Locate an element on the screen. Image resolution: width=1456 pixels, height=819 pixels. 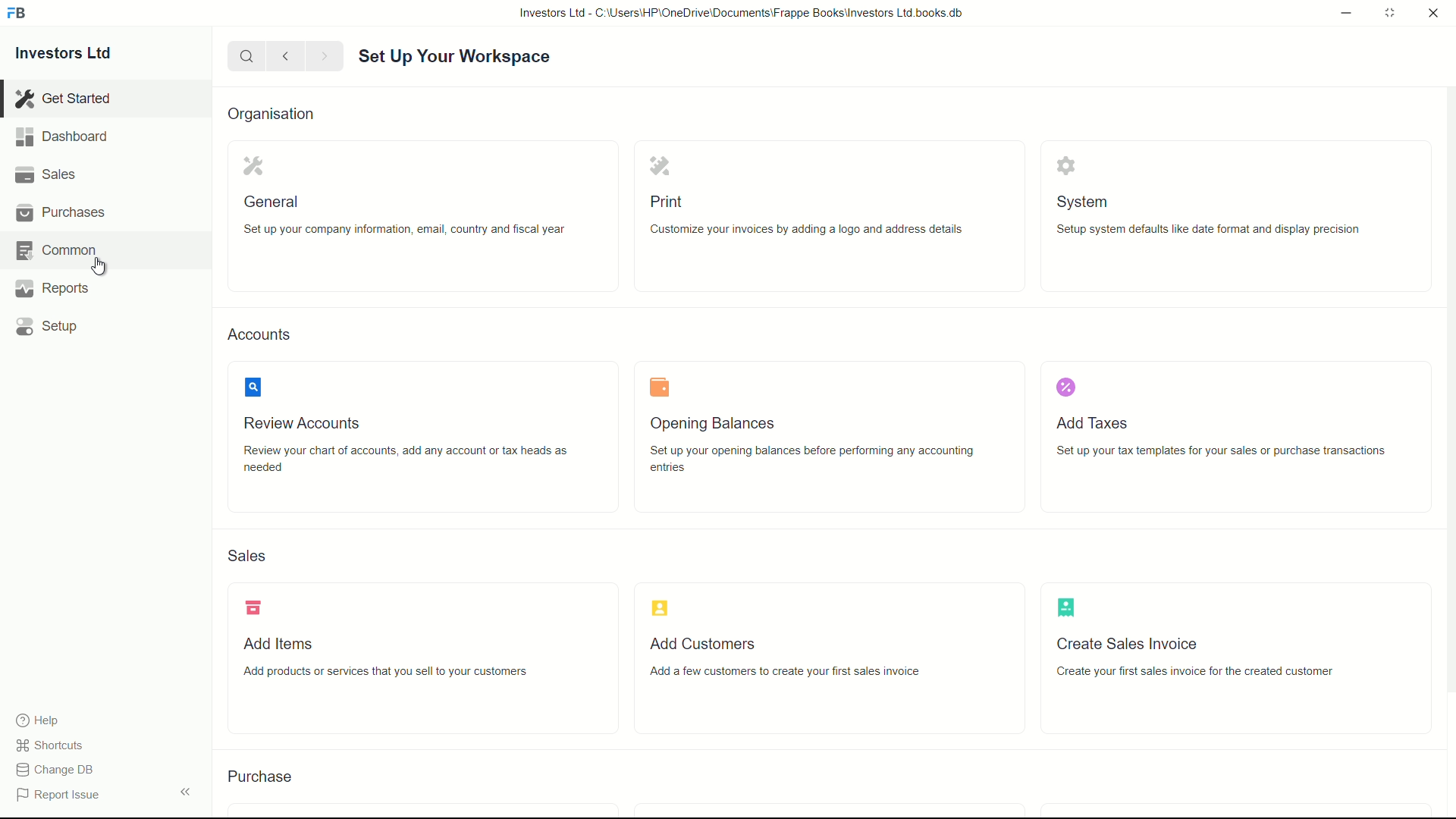
System is located at coordinates (1089, 202).